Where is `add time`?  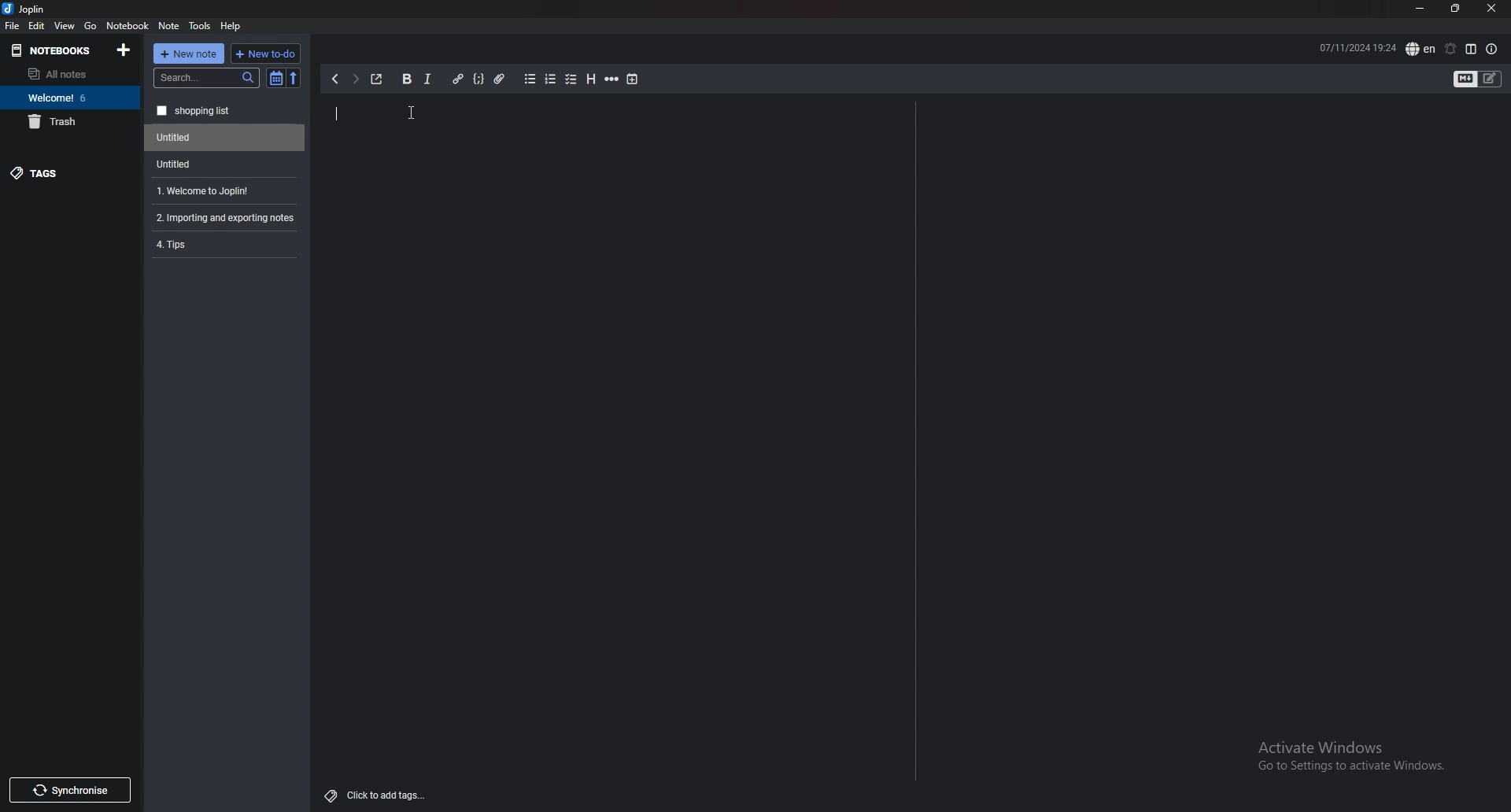 add time is located at coordinates (634, 79).